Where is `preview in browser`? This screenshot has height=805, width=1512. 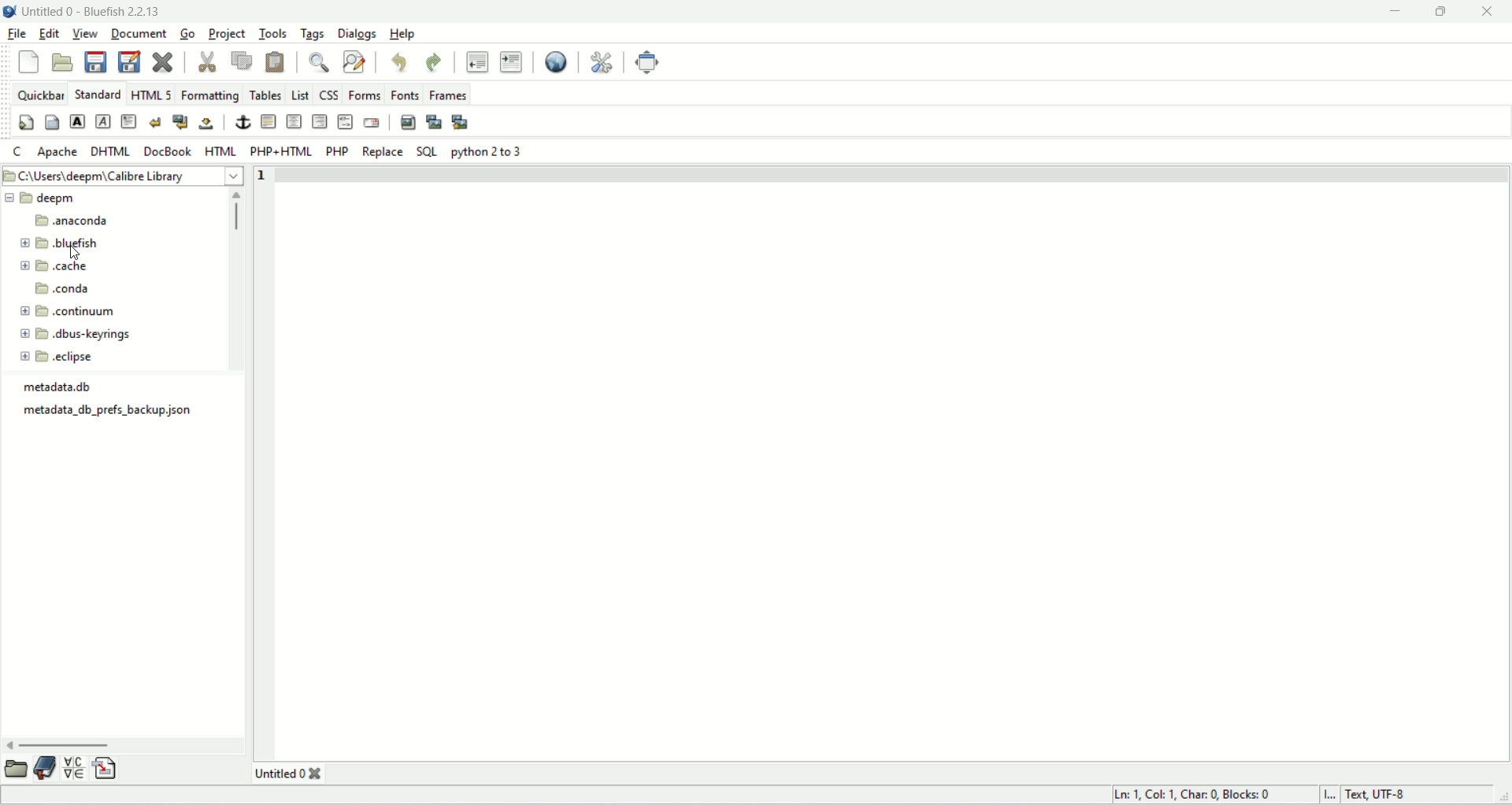
preview in browser is located at coordinates (557, 62).